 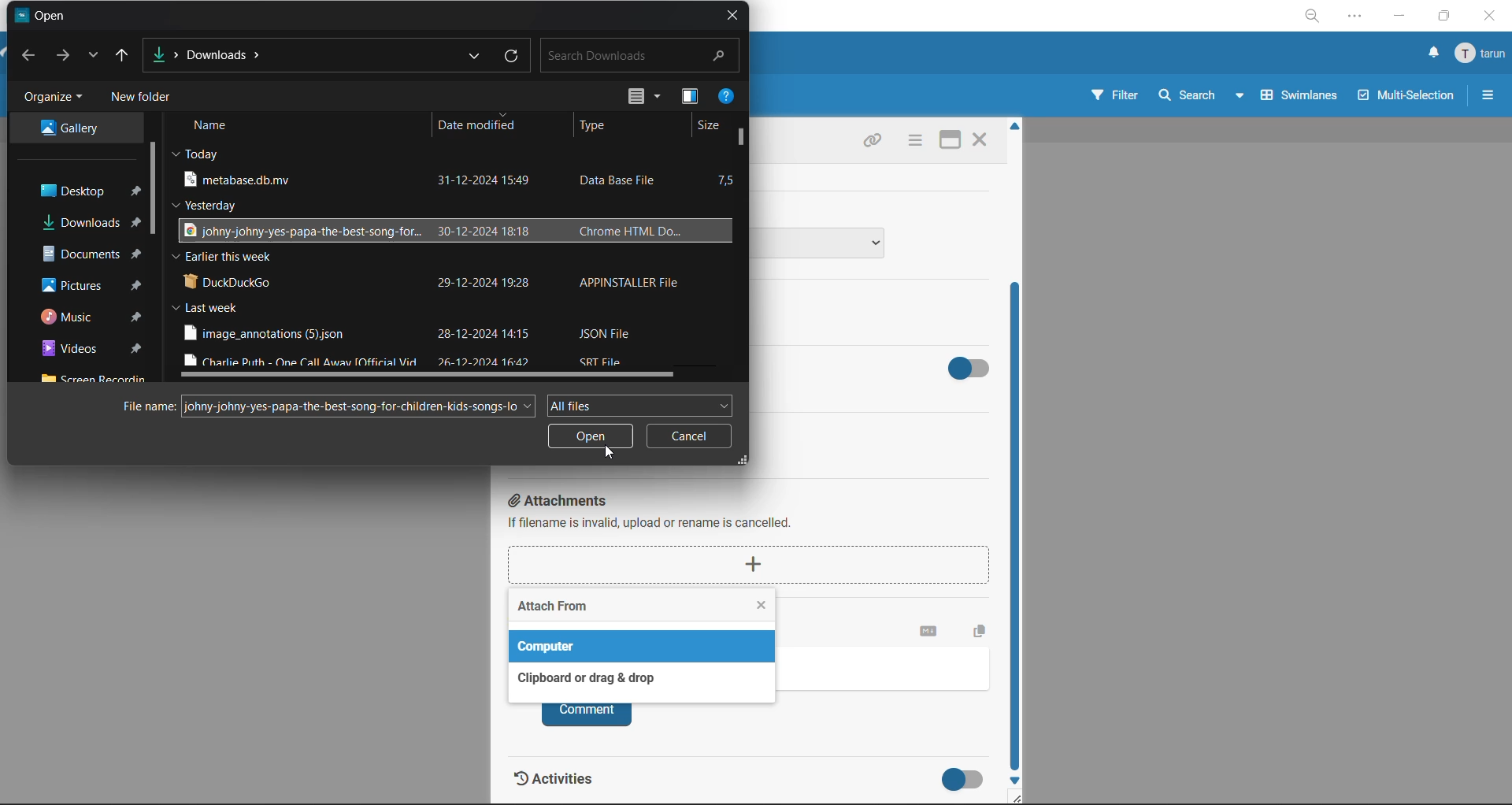 What do you see at coordinates (31, 56) in the screenshot?
I see `previous` at bounding box center [31, 56].